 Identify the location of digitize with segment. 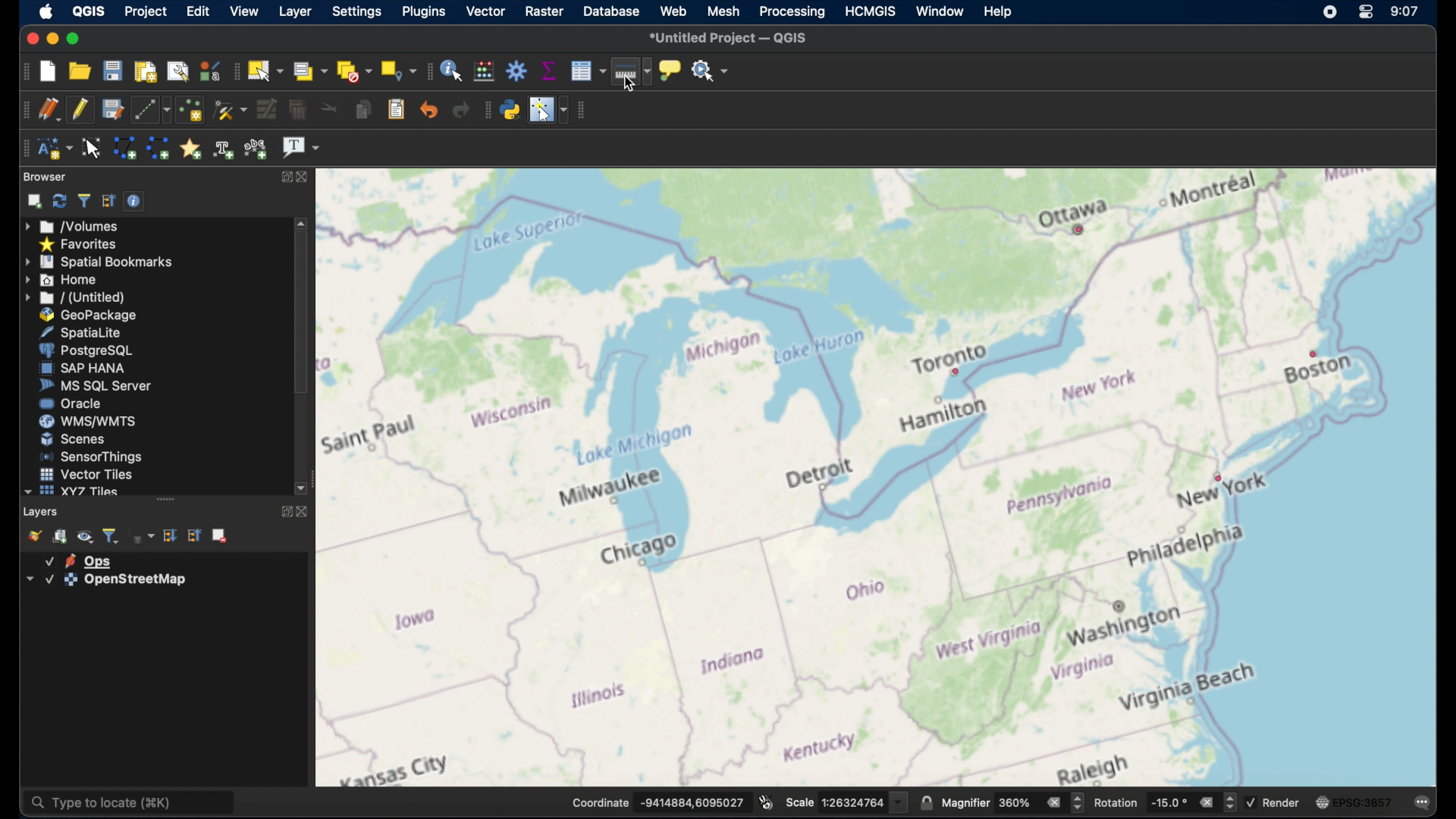
(152, 108).